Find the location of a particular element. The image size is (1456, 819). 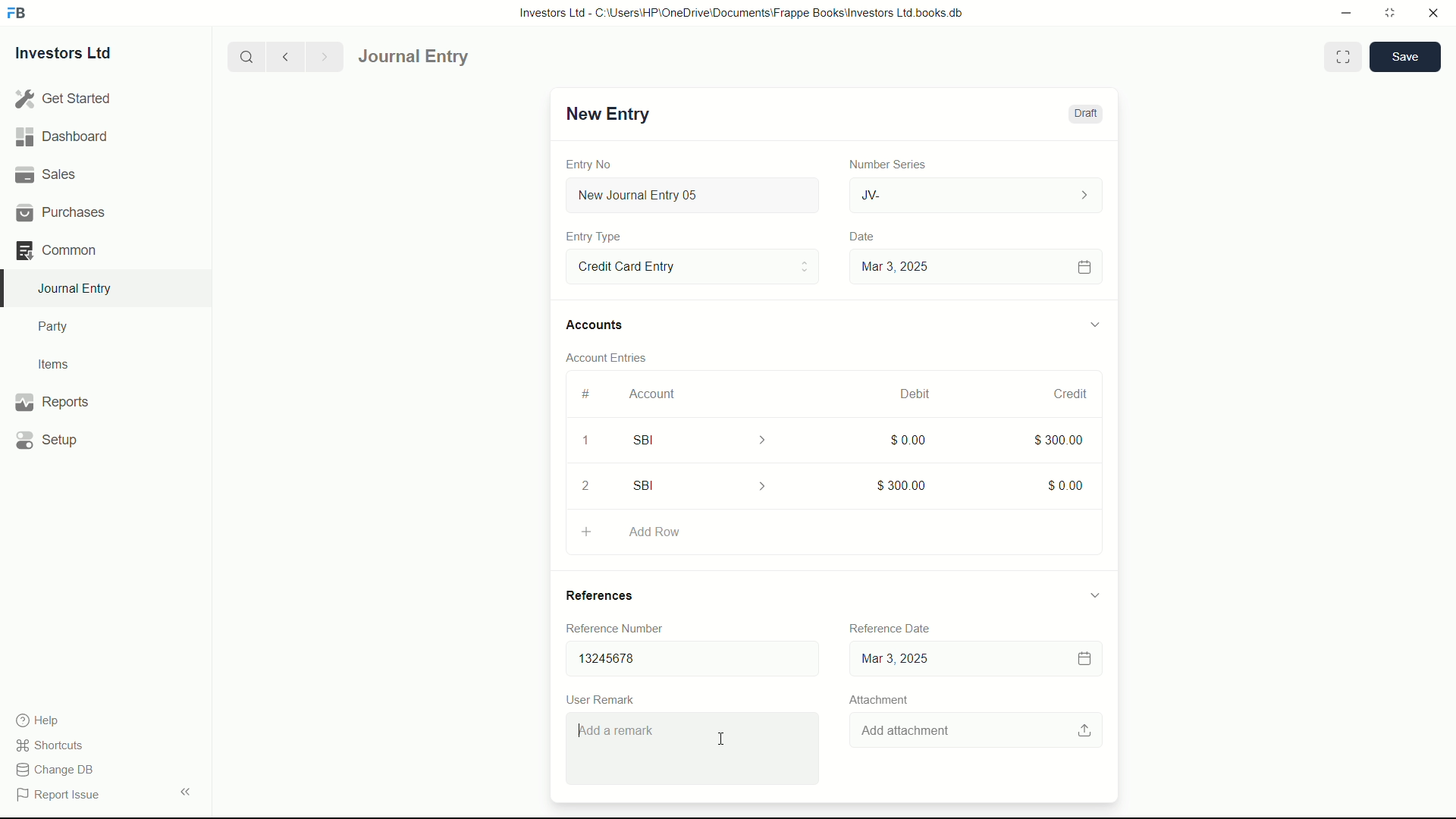

search is located at coordinates (245, 55).